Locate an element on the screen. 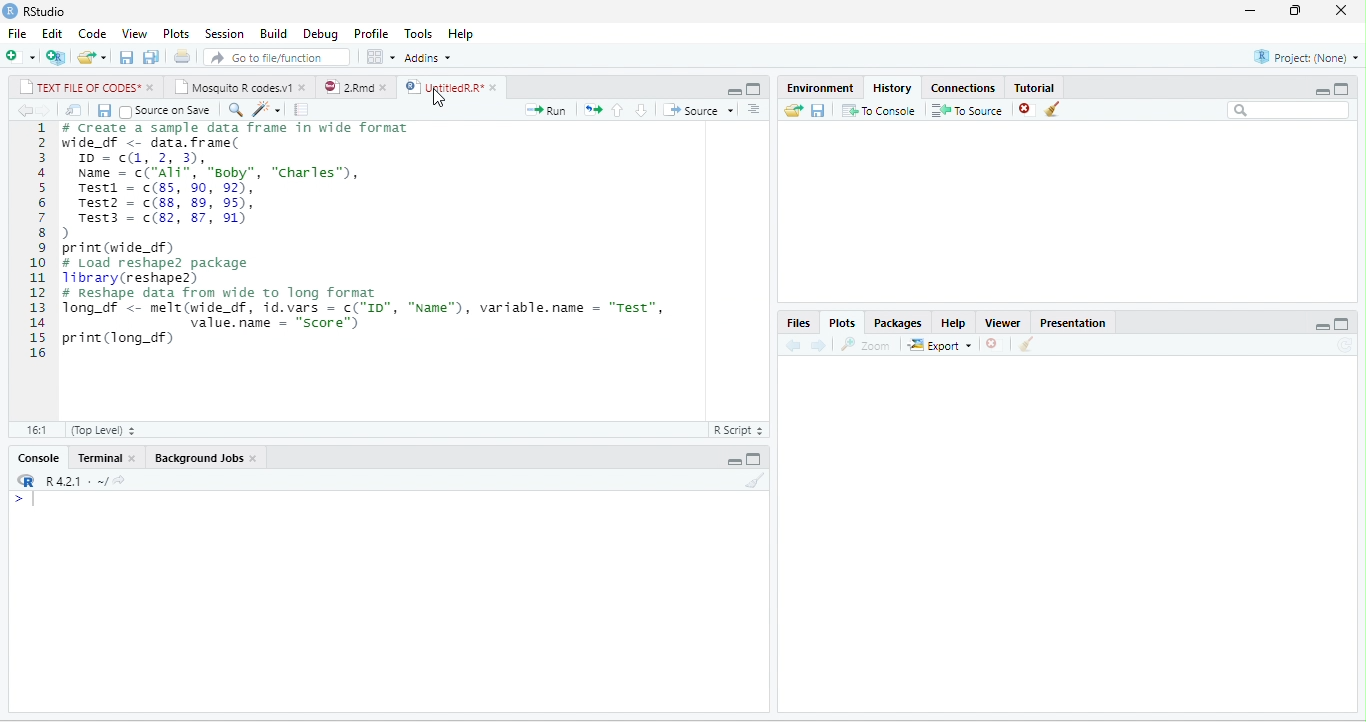 The height and width of the screenshot is (722, 1366). Presentation is located at coordinates (1072, 323).